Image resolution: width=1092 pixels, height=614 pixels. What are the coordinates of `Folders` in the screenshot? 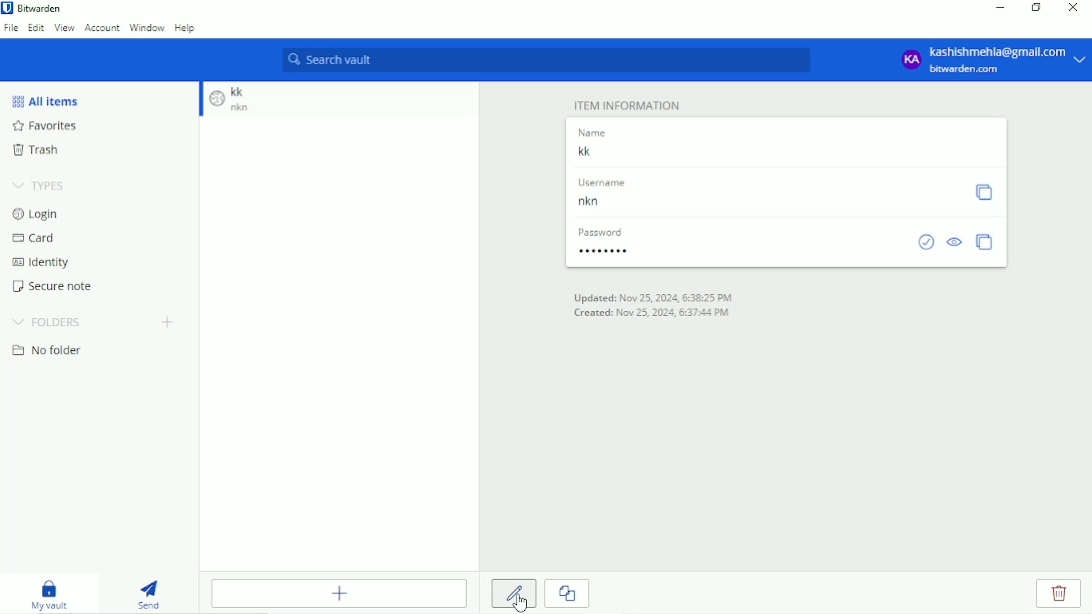 It's located at (46, 322).